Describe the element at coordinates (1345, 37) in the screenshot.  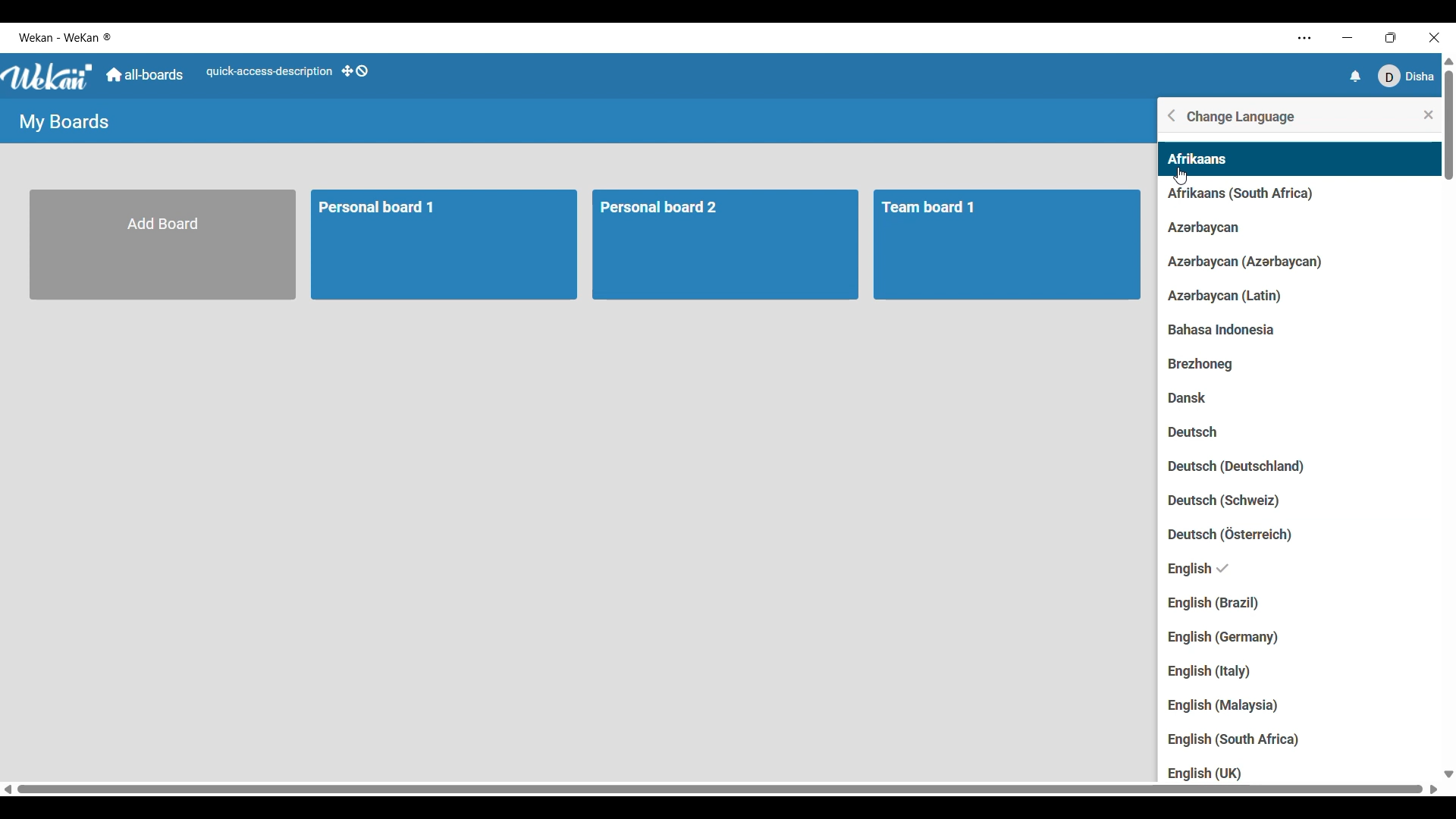
I see `Minimize` at that location.